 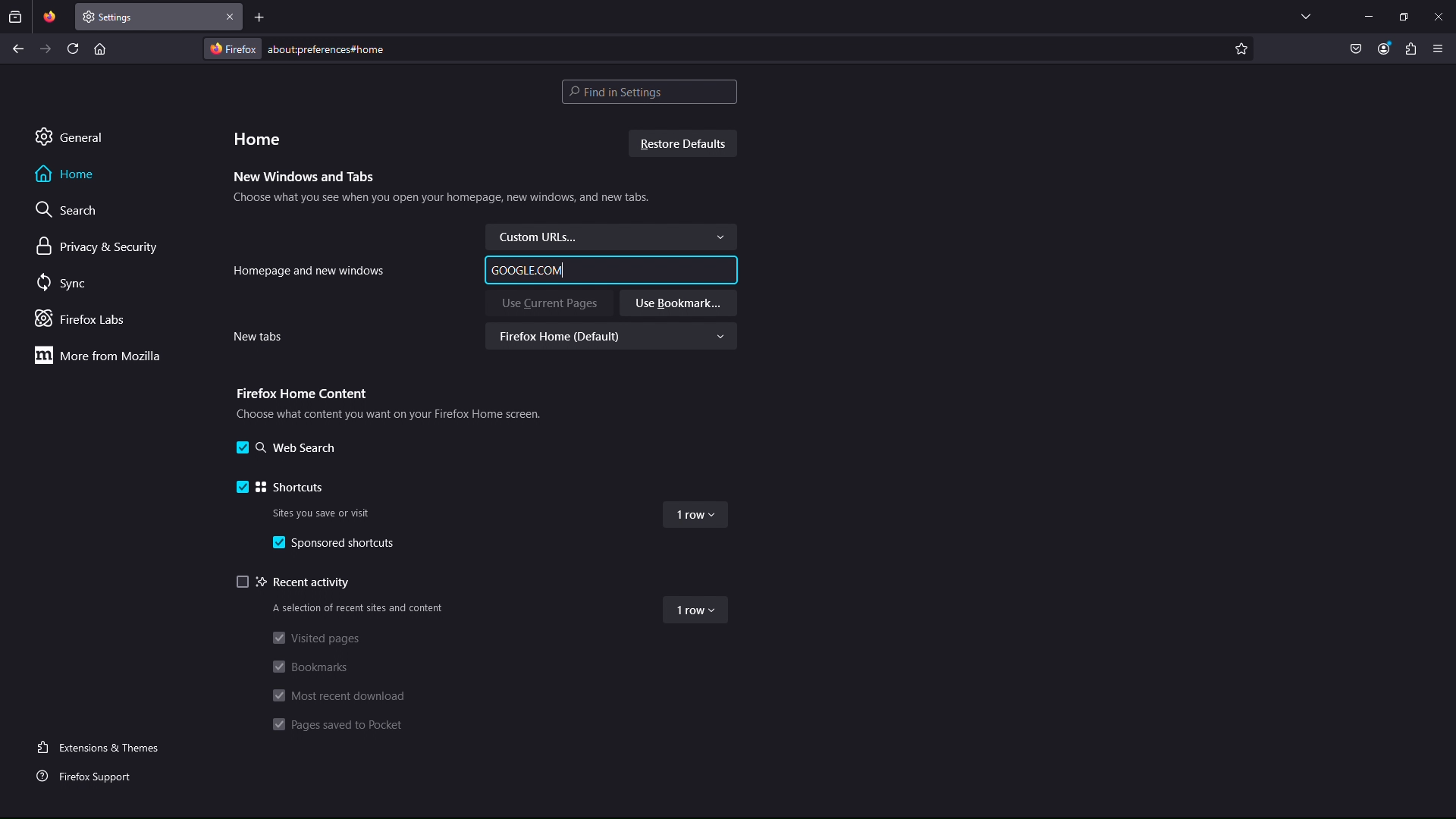 What do you see at coordinates (256, 337) in the screenshot?
I see `New tabs` at bounding box center [256, 337].